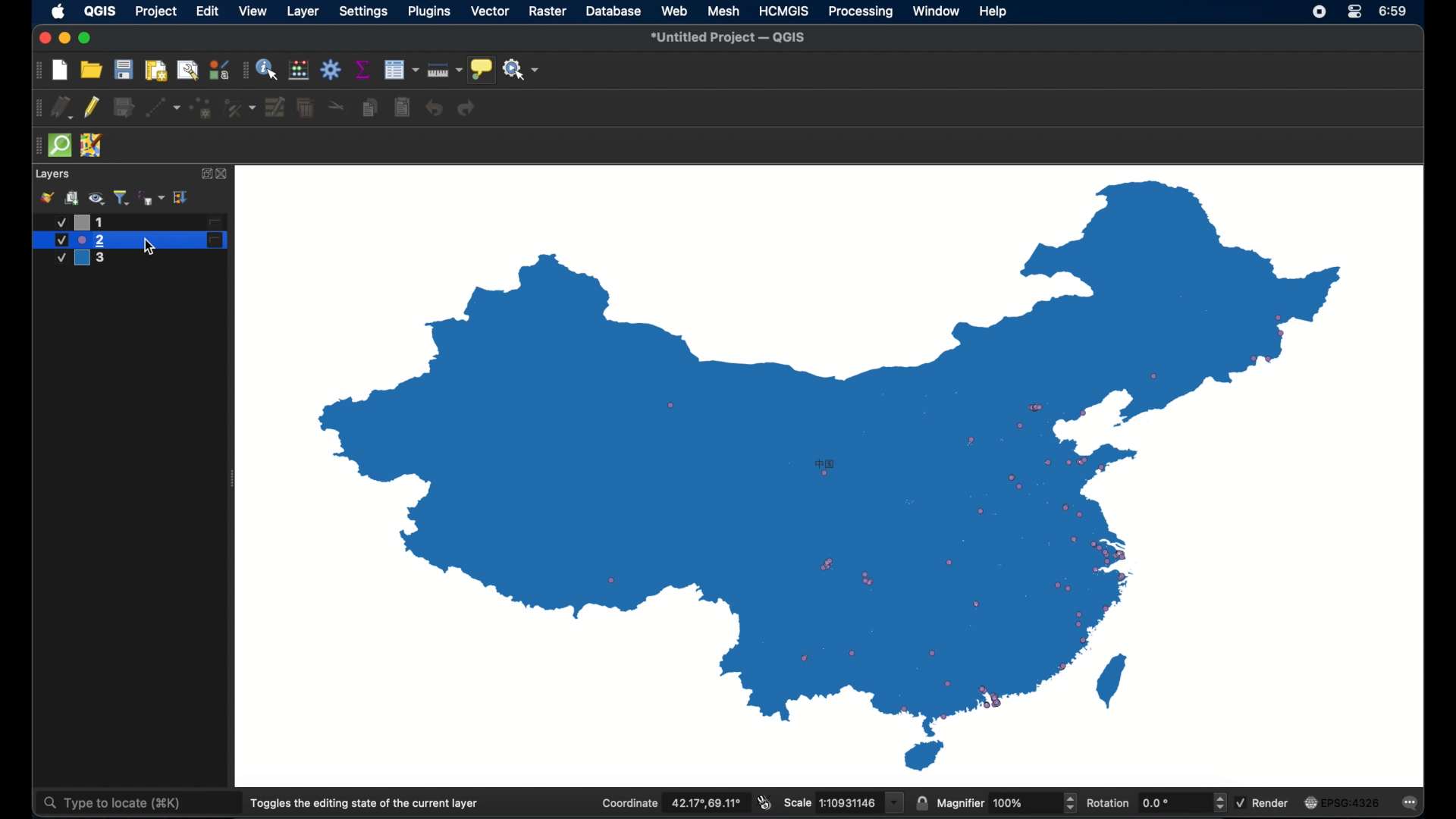 The image size is (1456, 819). What do you see at coordinates (723, 11) in the screenshot?
I see `mesh` at bounding box center [723, 11].